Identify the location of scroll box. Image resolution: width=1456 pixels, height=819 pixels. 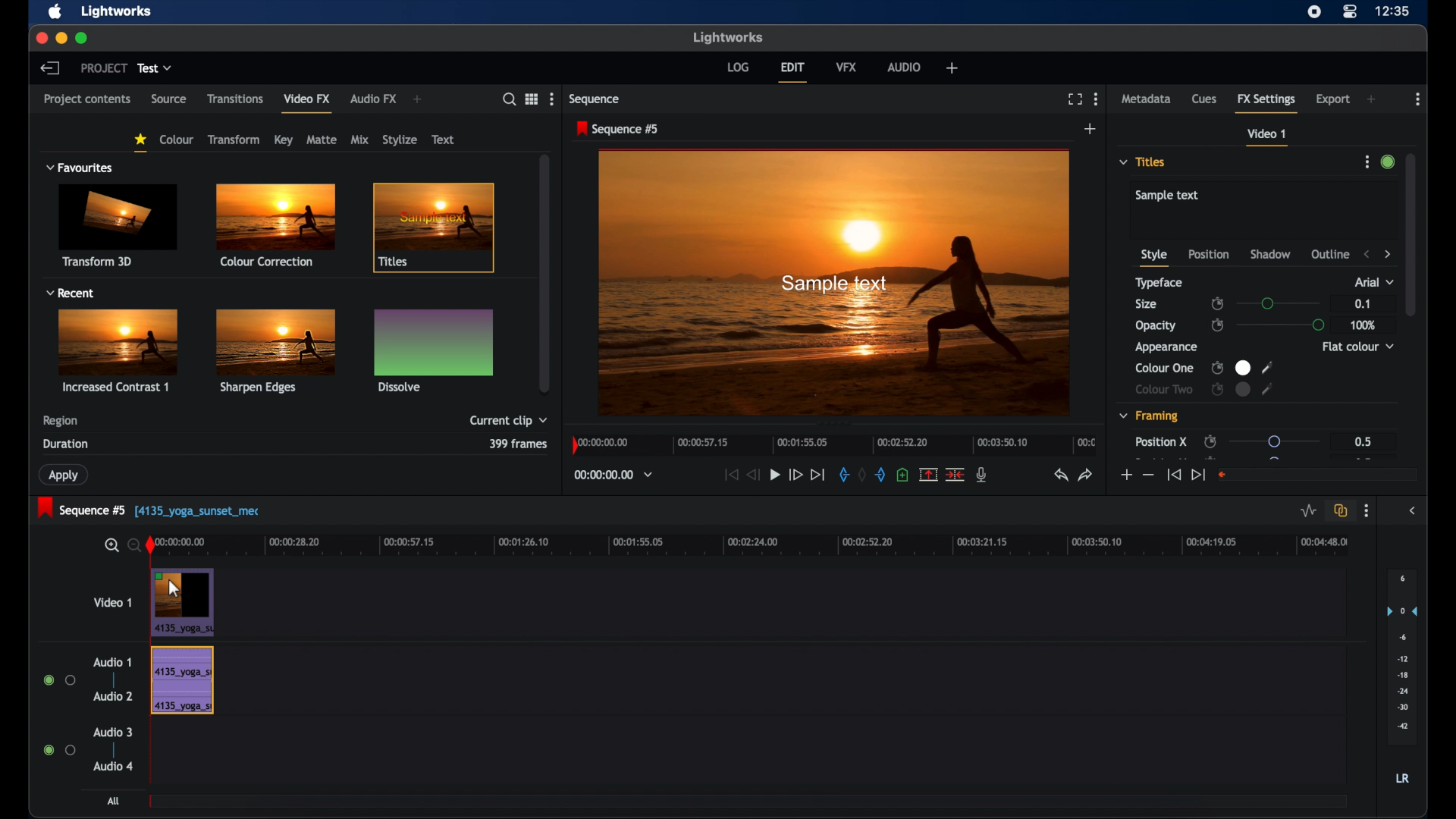
(1412, 234).